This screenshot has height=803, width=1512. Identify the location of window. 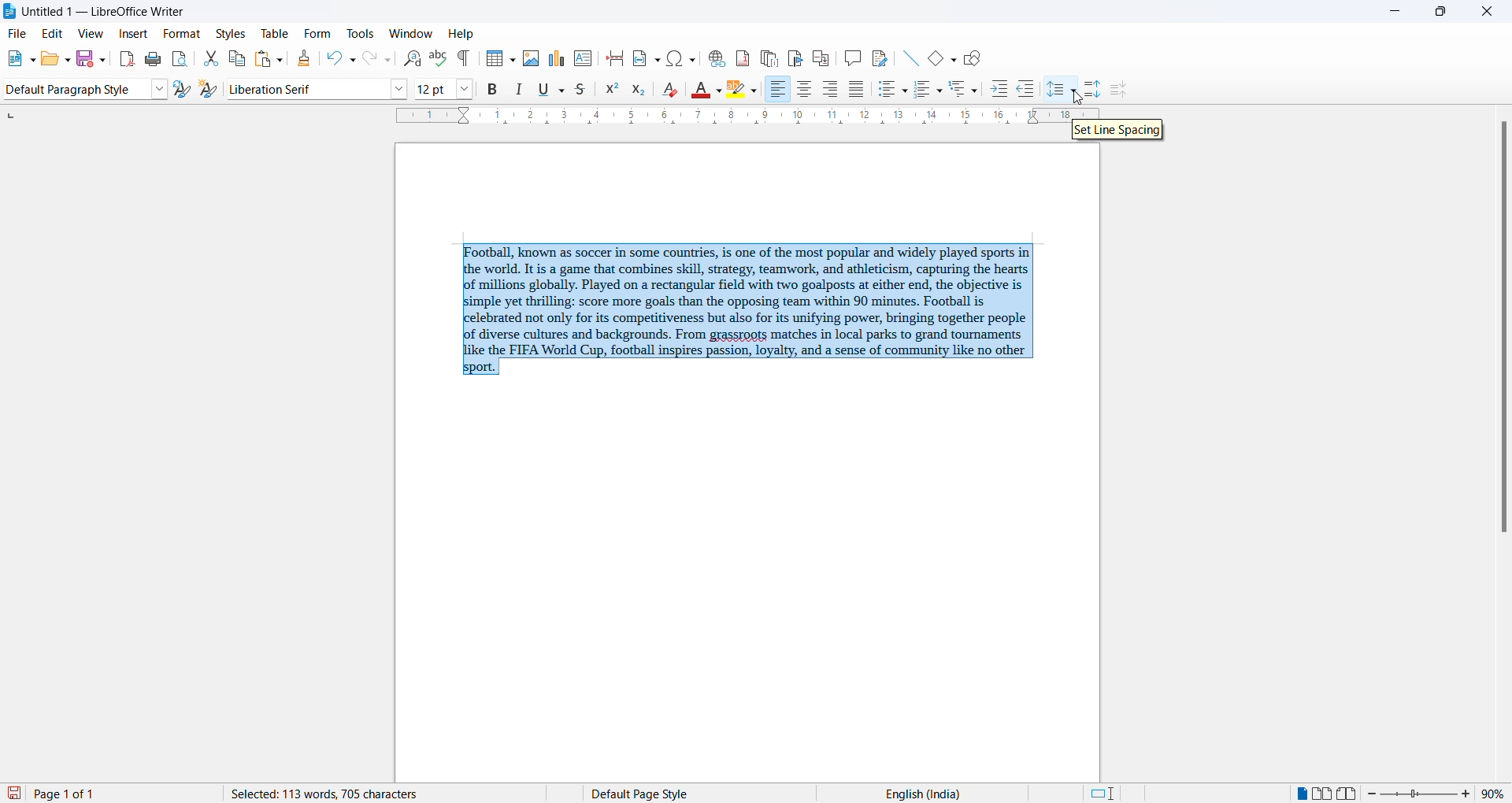
(408, 32).